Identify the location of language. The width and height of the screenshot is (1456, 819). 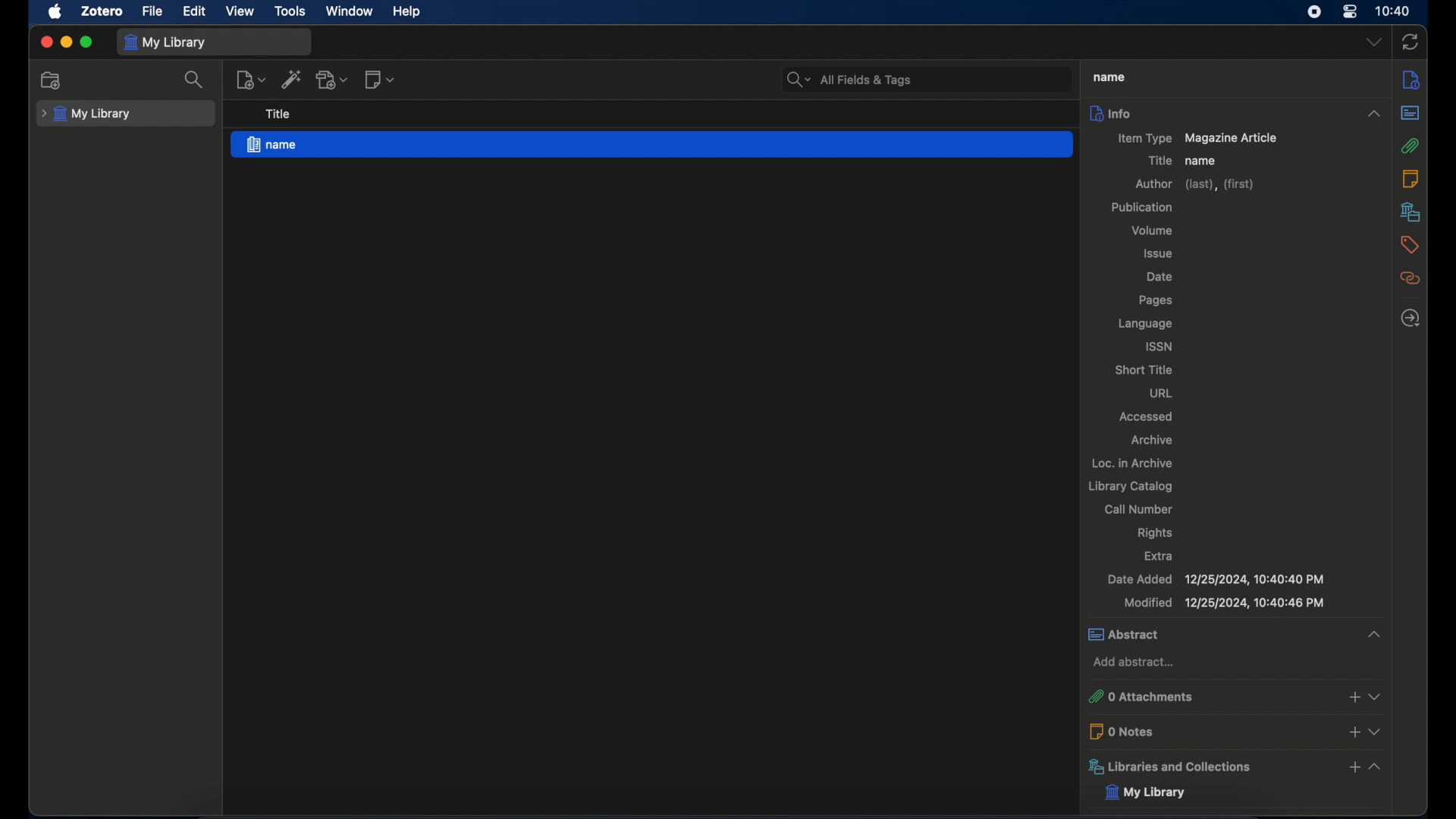
(1145, 324).